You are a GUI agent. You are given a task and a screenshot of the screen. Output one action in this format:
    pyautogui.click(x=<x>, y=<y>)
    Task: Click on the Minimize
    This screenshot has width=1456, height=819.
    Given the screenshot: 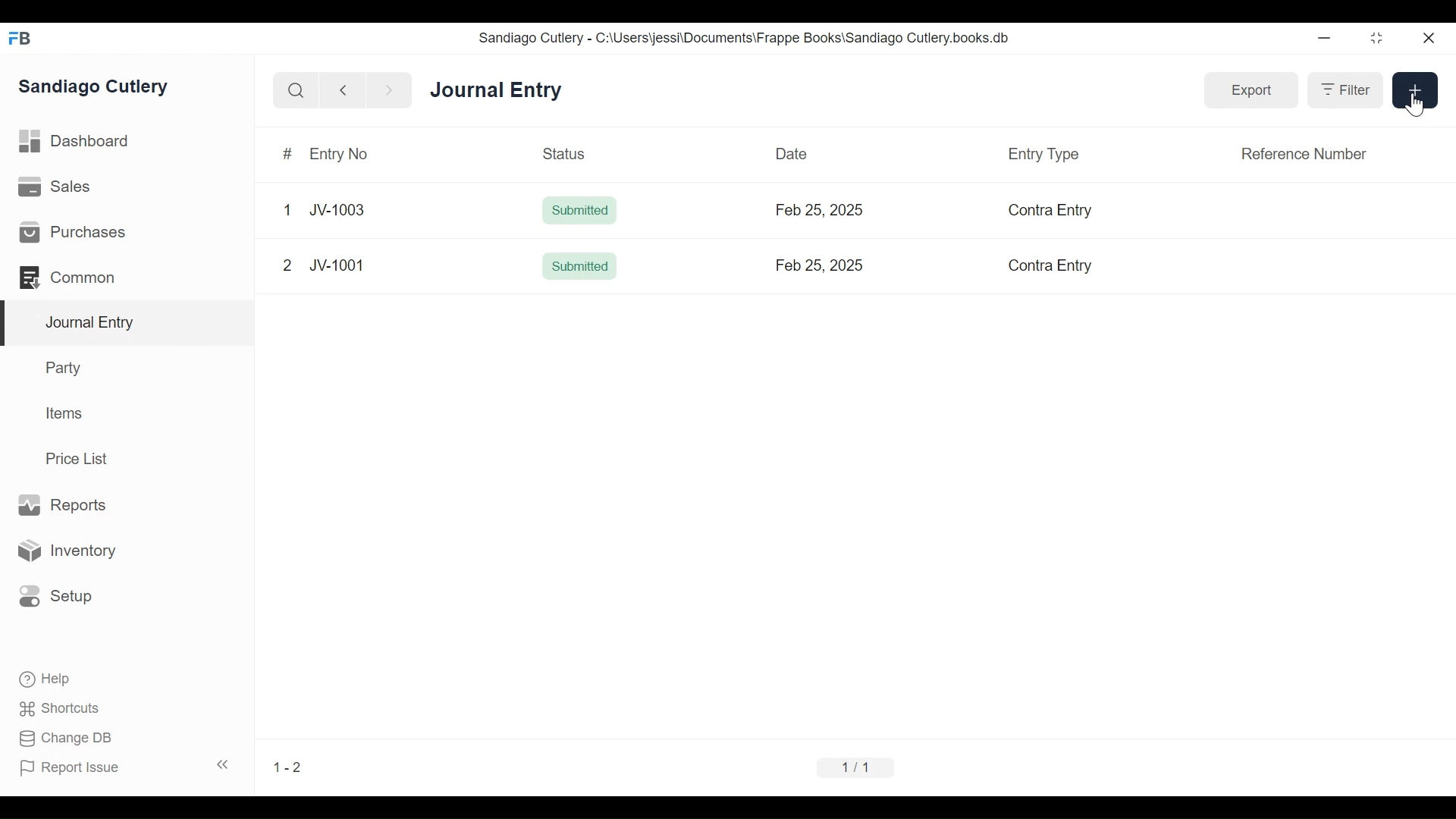 What is the action you would take?
    pyautogui.click(x=1326, y=37)
    